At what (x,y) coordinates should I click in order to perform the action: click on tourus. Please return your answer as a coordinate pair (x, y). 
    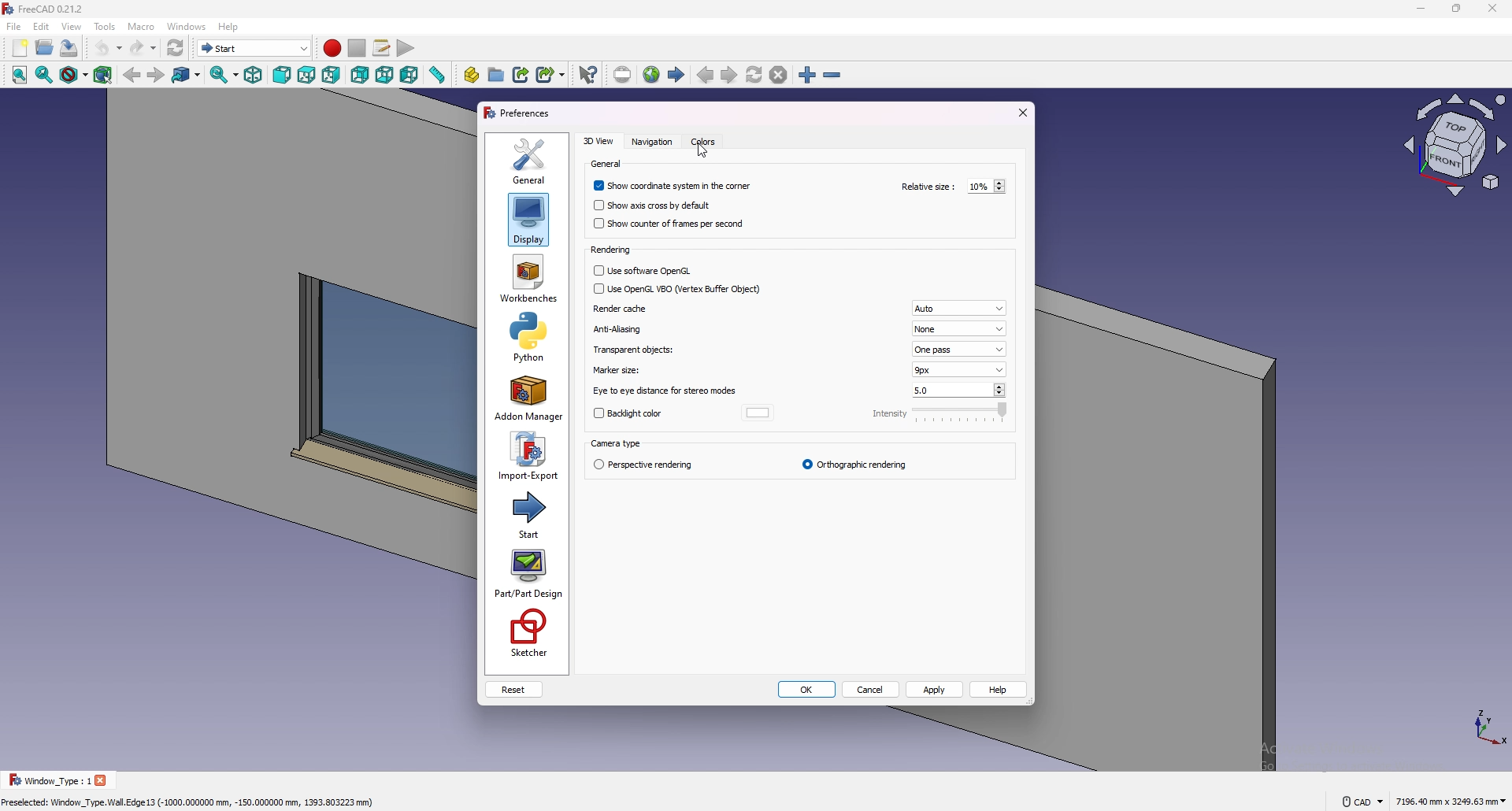
    Looking at the image, I should click on (1480, 726).